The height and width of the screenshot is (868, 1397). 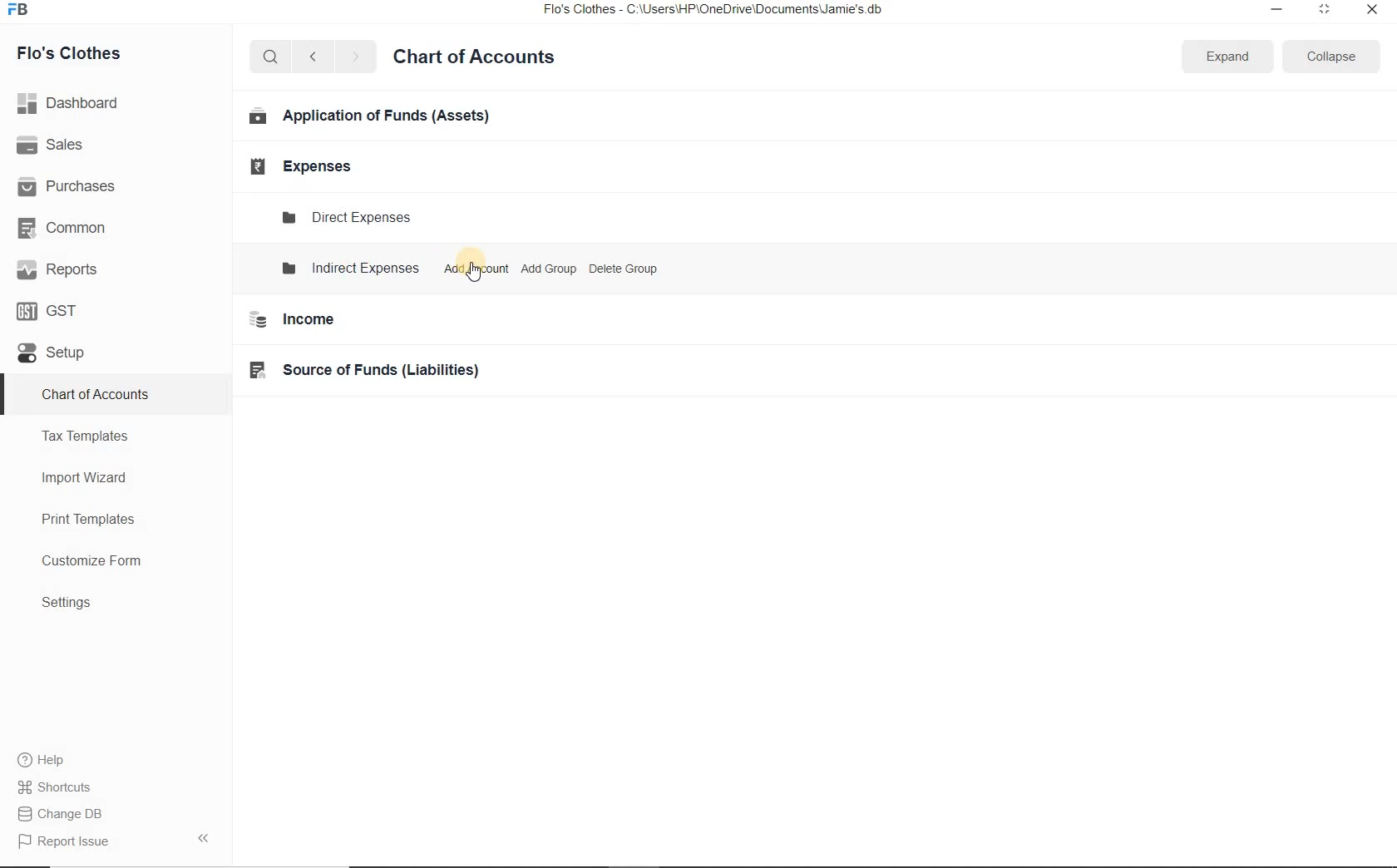 What do you see at coordinates (57, 269) in the screenshot?
I see `Reports` at bounding box center [57, 269].